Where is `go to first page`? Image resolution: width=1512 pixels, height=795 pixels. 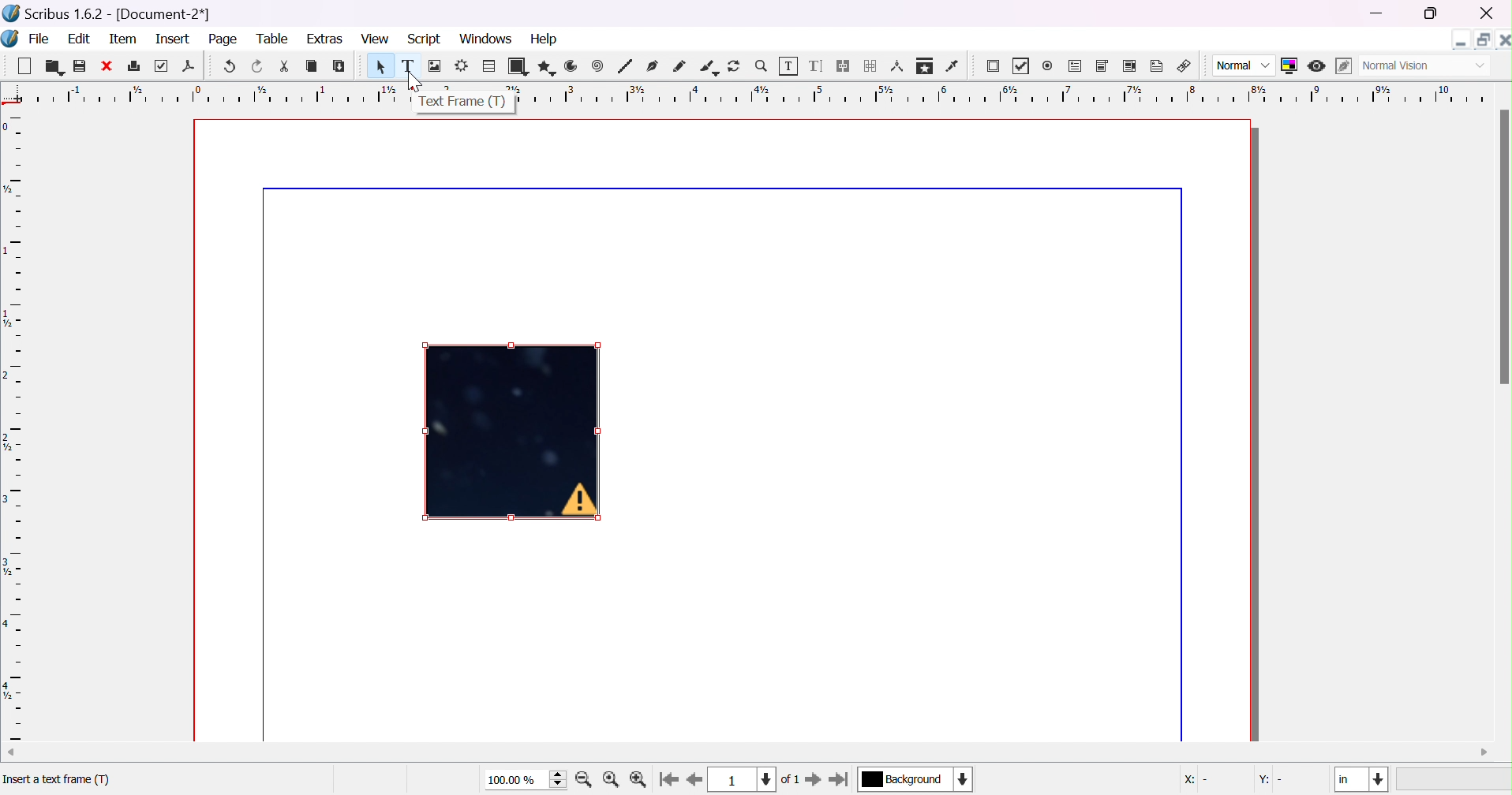
go to first page is located at coordinates (670, 779).